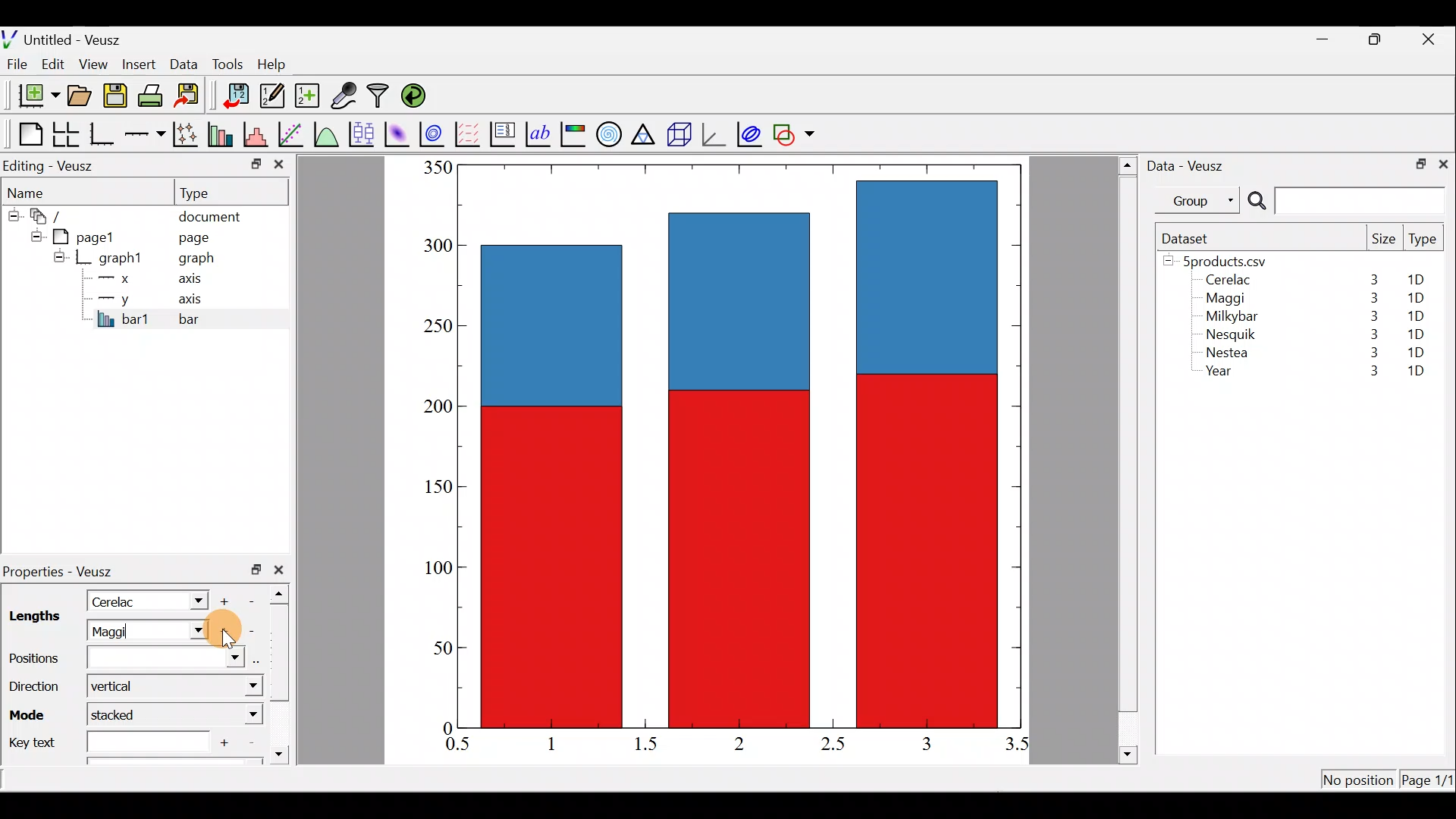  Describe the element at coordinates (1421, 280) in the screenshot. I see `1D` at that location.